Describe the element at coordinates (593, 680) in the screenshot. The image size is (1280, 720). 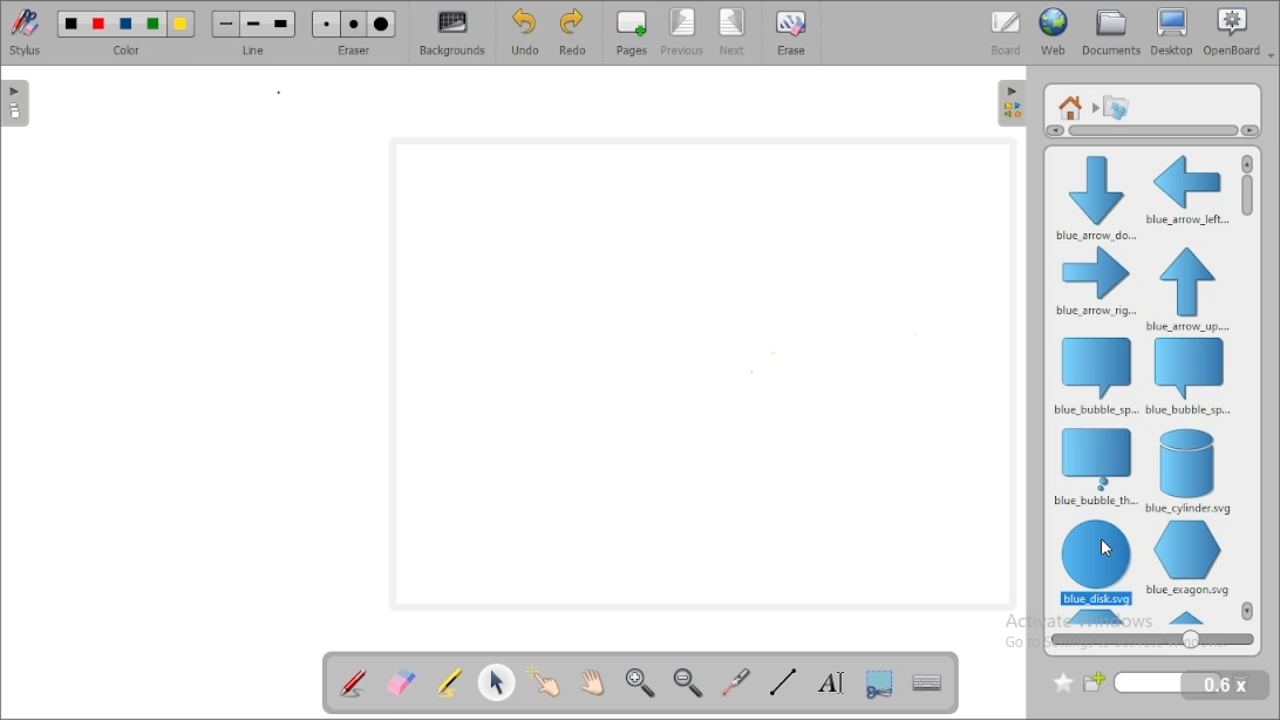
I see `scroll page` at that location.